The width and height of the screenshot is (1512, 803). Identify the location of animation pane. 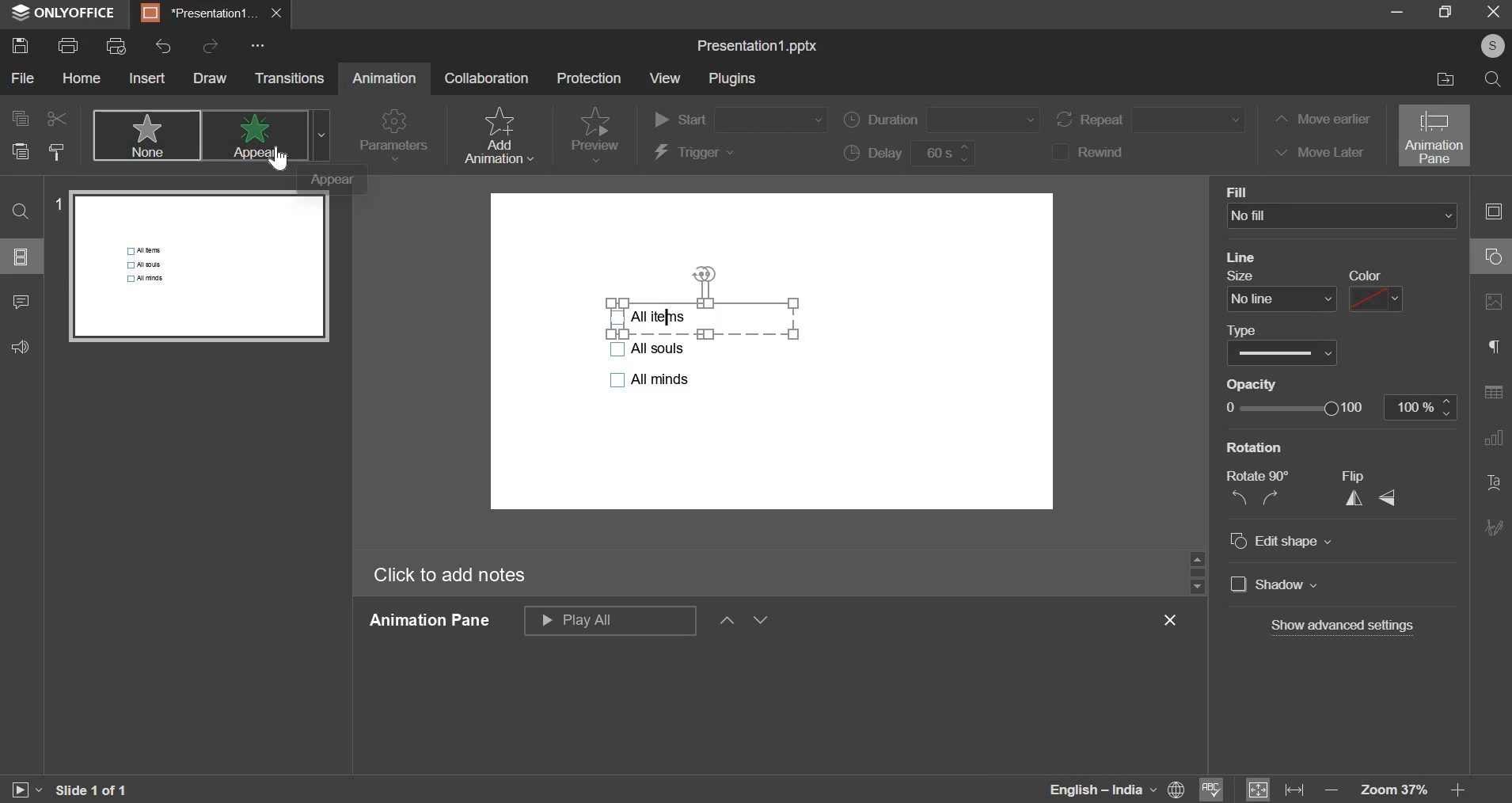
(428, 621).